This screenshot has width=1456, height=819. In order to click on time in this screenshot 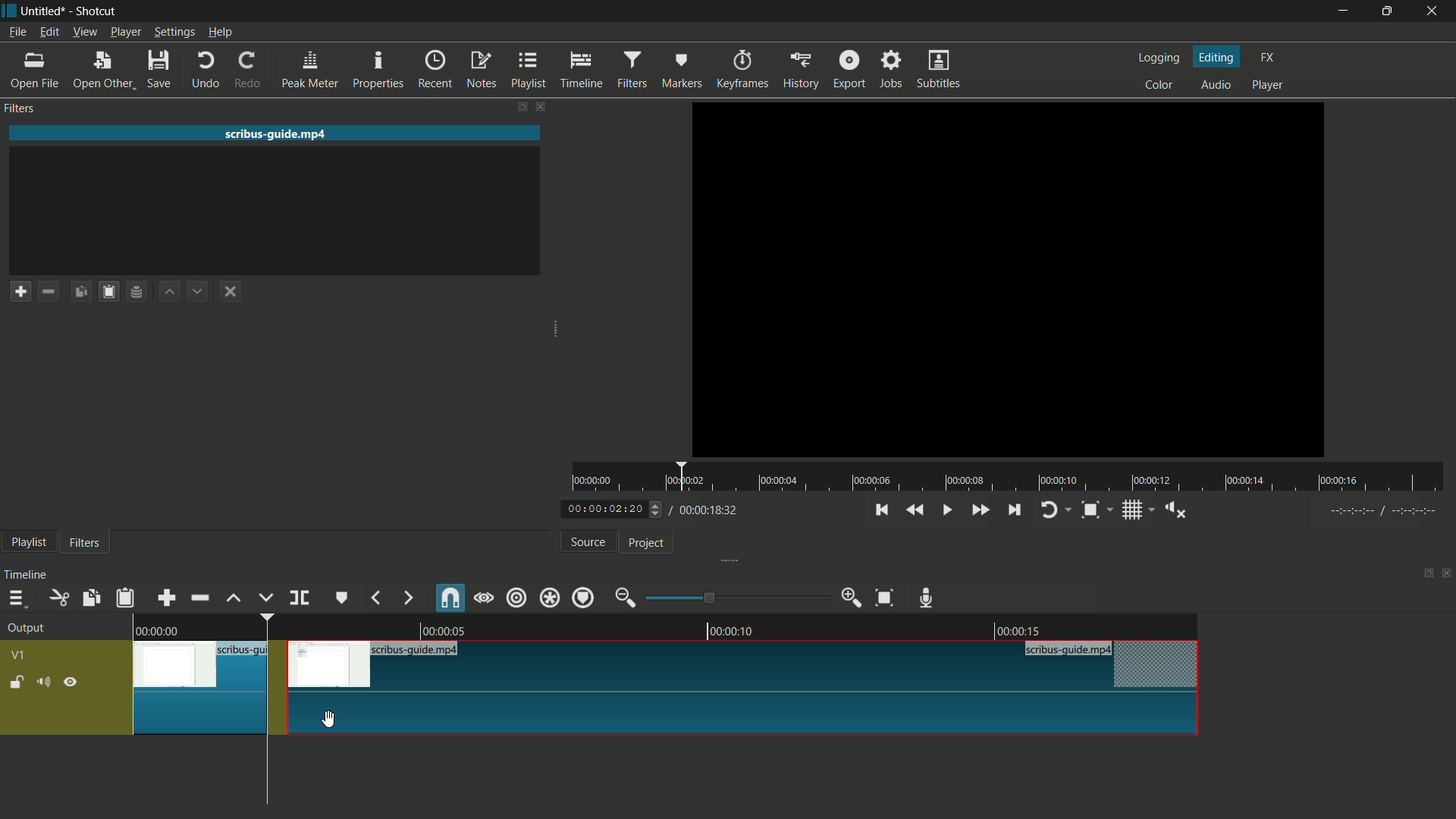, I will do `click(1015, 478)`.